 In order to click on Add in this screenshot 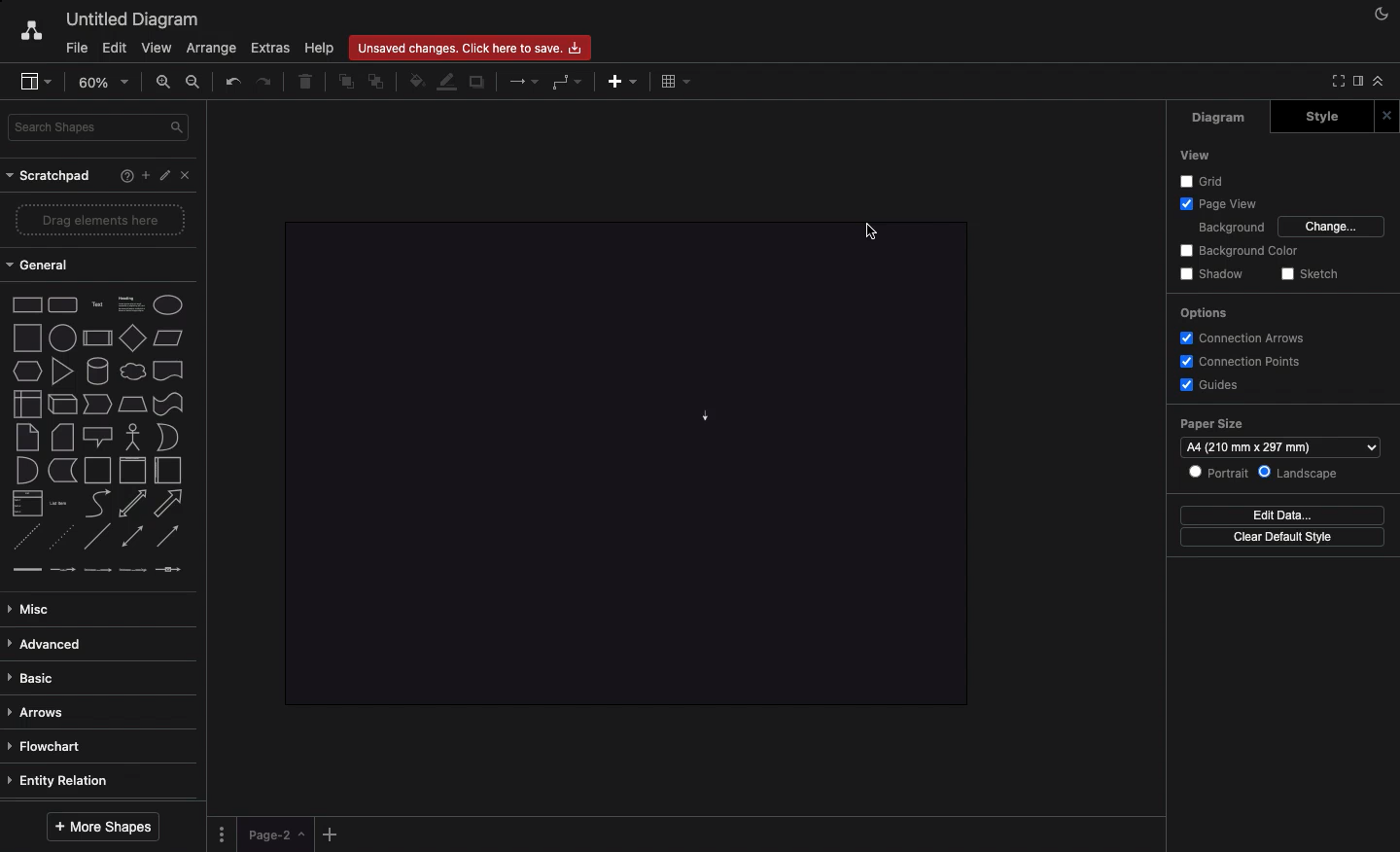, I will do `click(146, 175)`.